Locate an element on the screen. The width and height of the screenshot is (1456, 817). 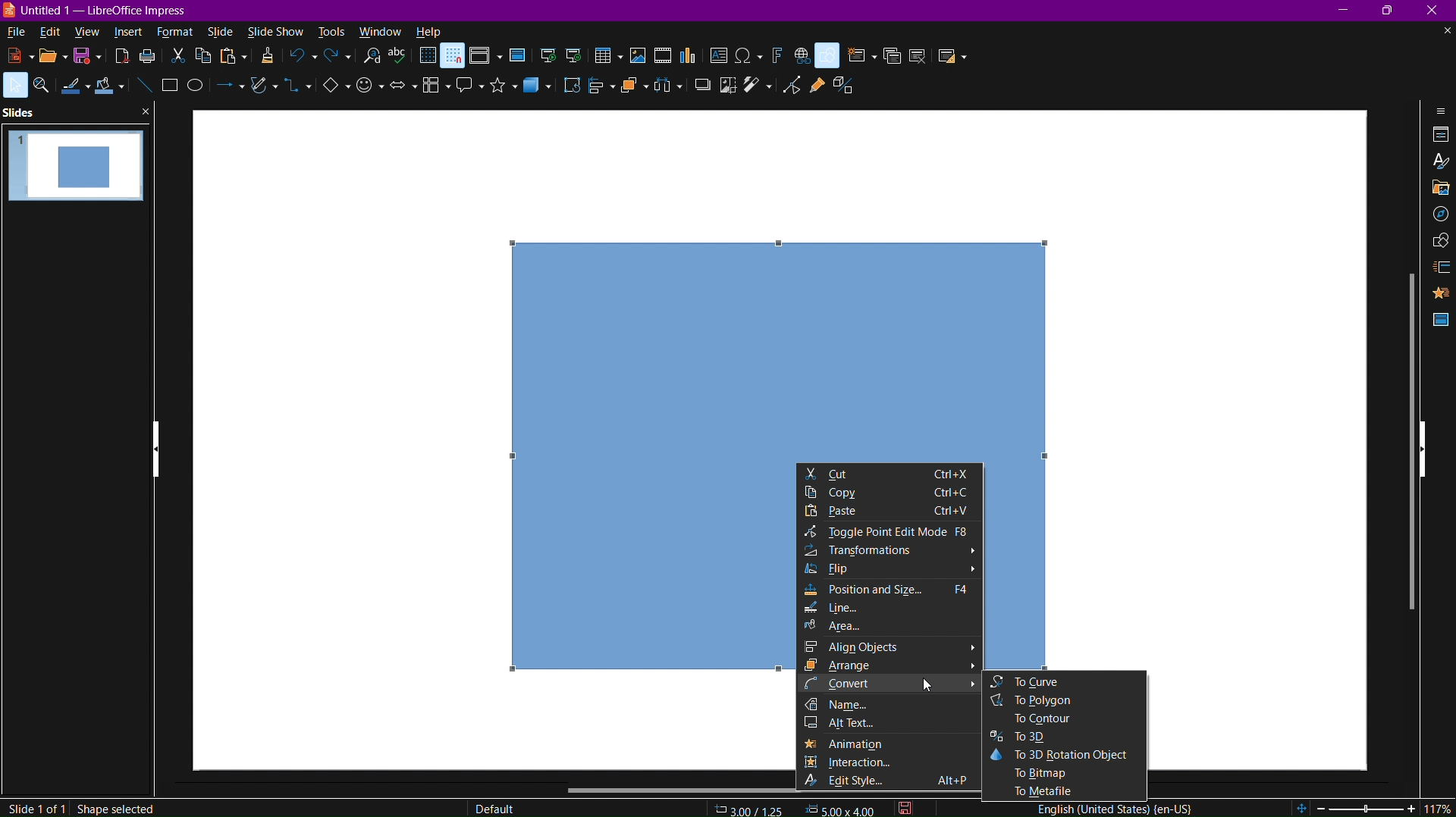
Fill Color is located at coordinates (112, 88).